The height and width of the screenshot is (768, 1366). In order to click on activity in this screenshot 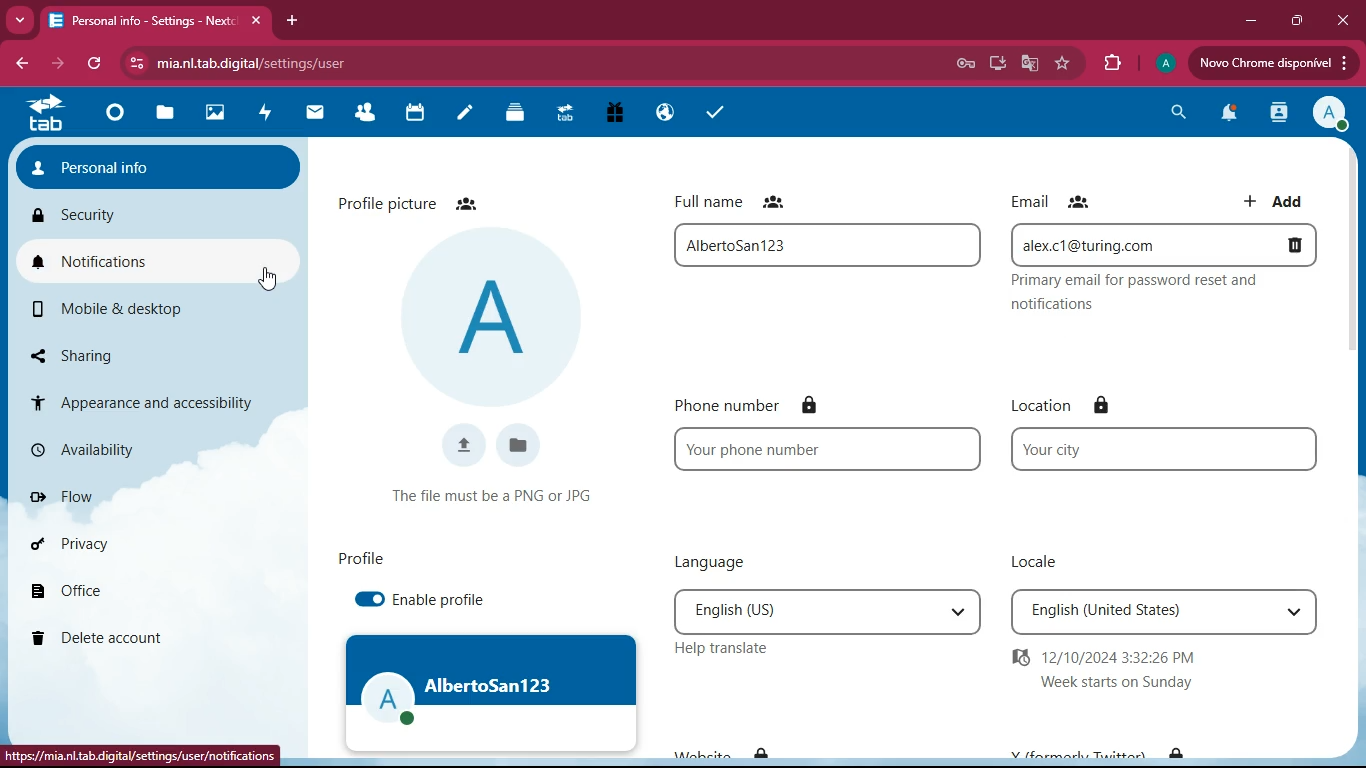, I will do `click(263, 115)`.